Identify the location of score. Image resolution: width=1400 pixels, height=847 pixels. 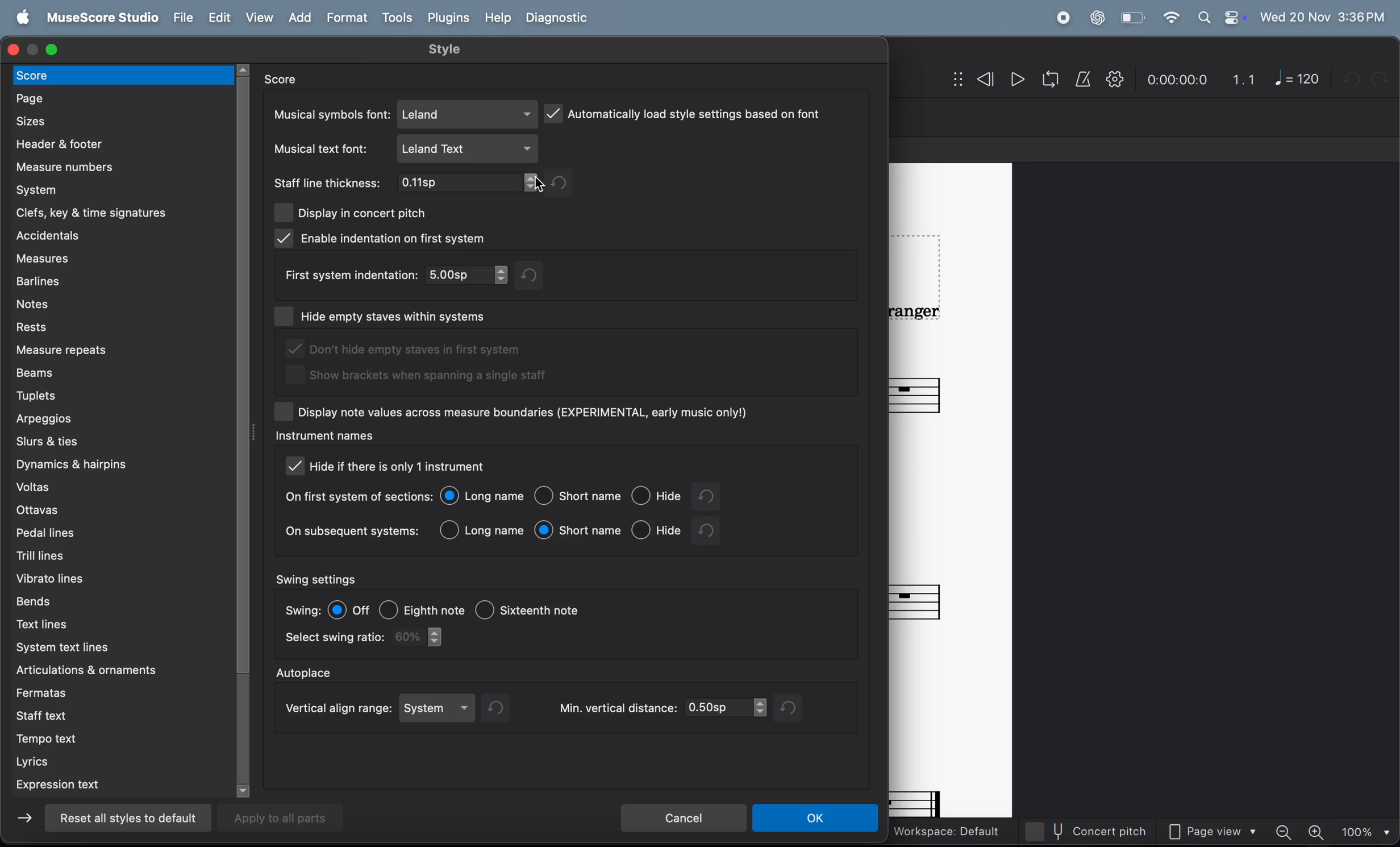
(289, 79).